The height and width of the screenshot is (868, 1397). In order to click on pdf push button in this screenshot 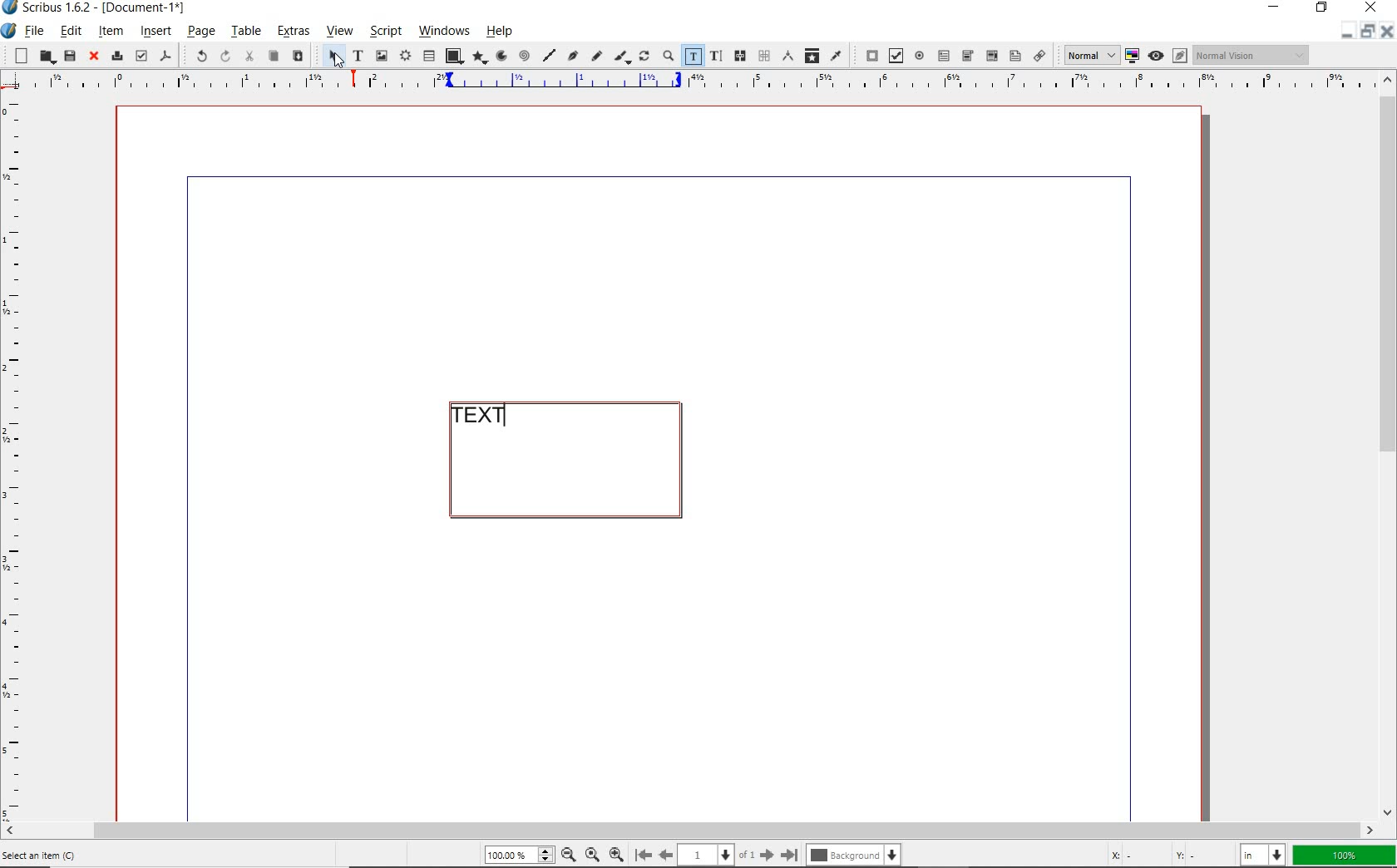, I will do `click(867, 55)`.